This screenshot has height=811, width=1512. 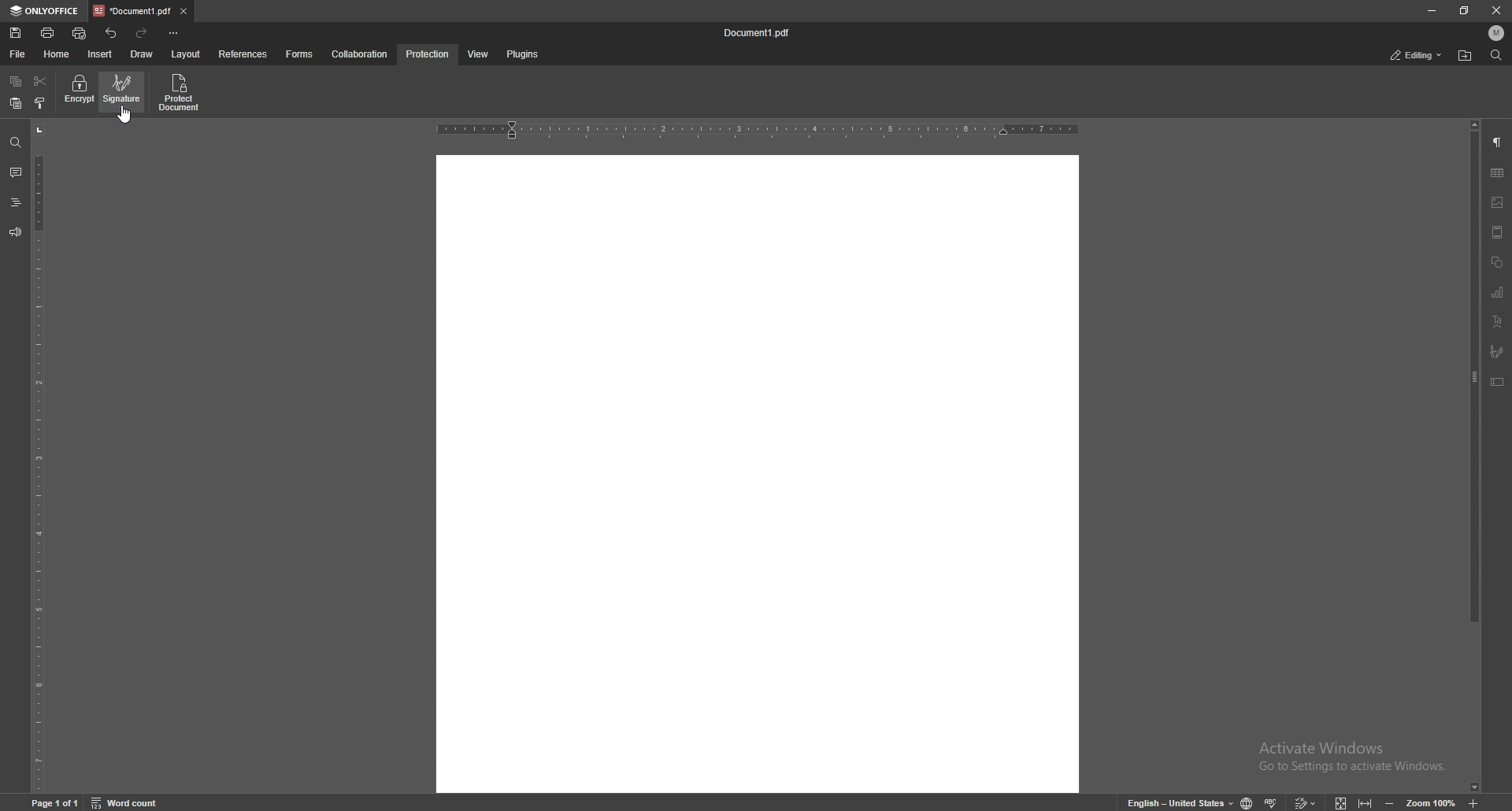 What do you see at coordinates (1367, 800) in the screenshot?
I see `fit to width` at bounding box center [1367, 800].